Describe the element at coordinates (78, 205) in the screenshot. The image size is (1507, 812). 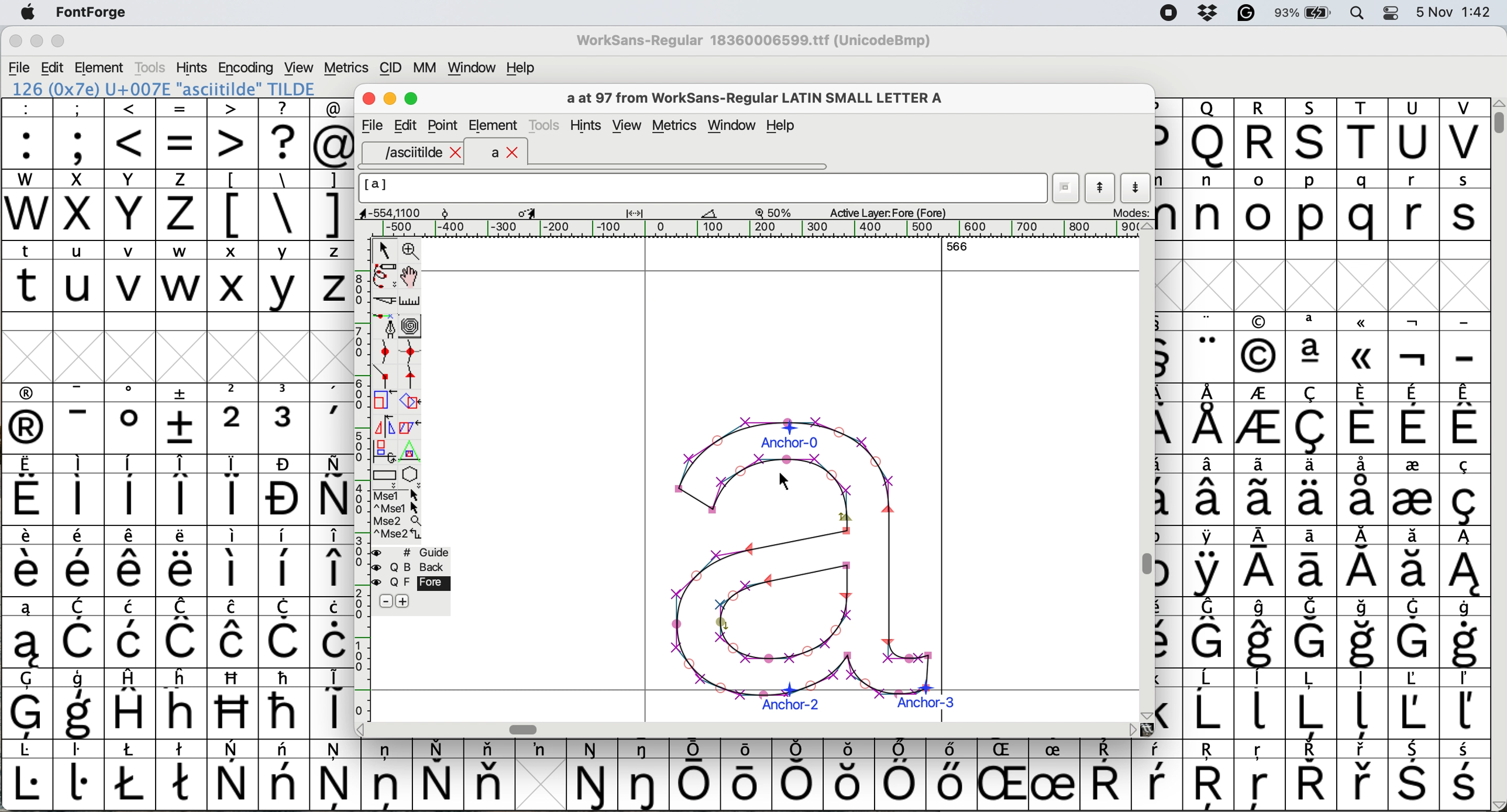
I see `x` at that location.